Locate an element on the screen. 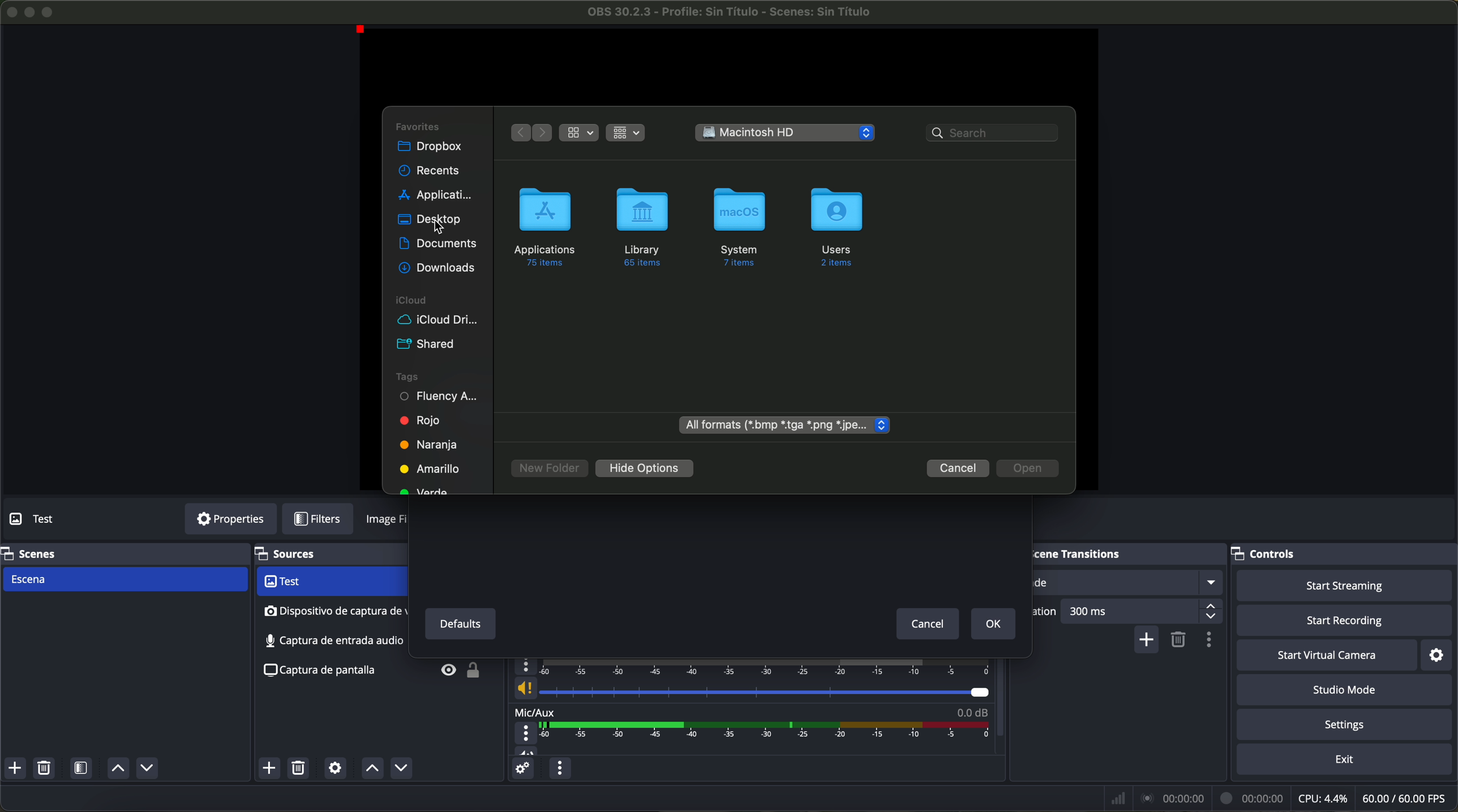 The height and width of the screenshot is (812, 1458). timeline is located at coordinates (755, 667).